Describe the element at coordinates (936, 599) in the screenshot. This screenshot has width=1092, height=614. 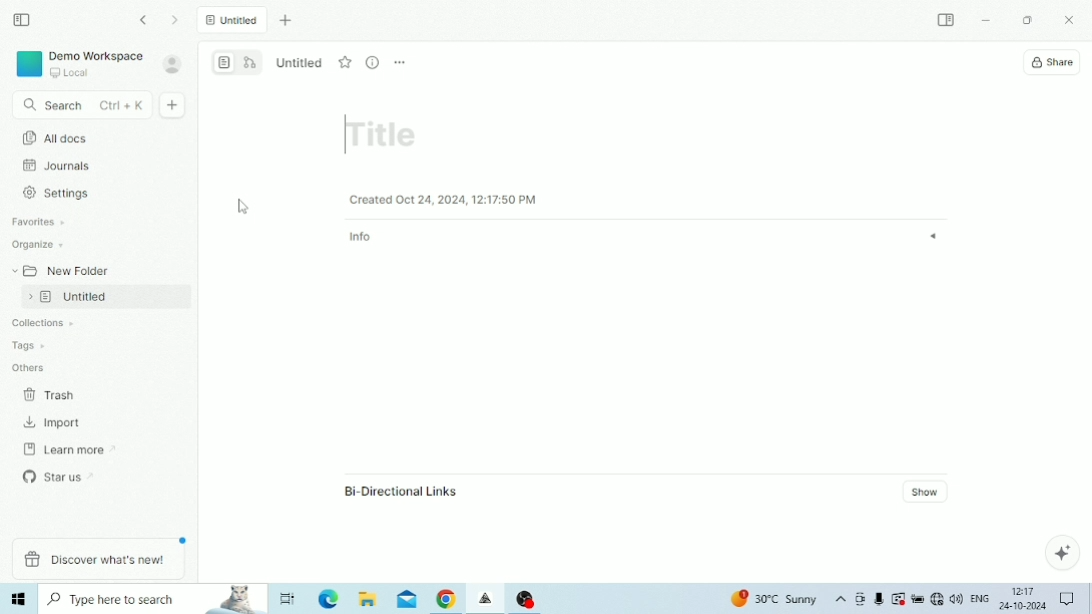
I see `Internet` at that location.